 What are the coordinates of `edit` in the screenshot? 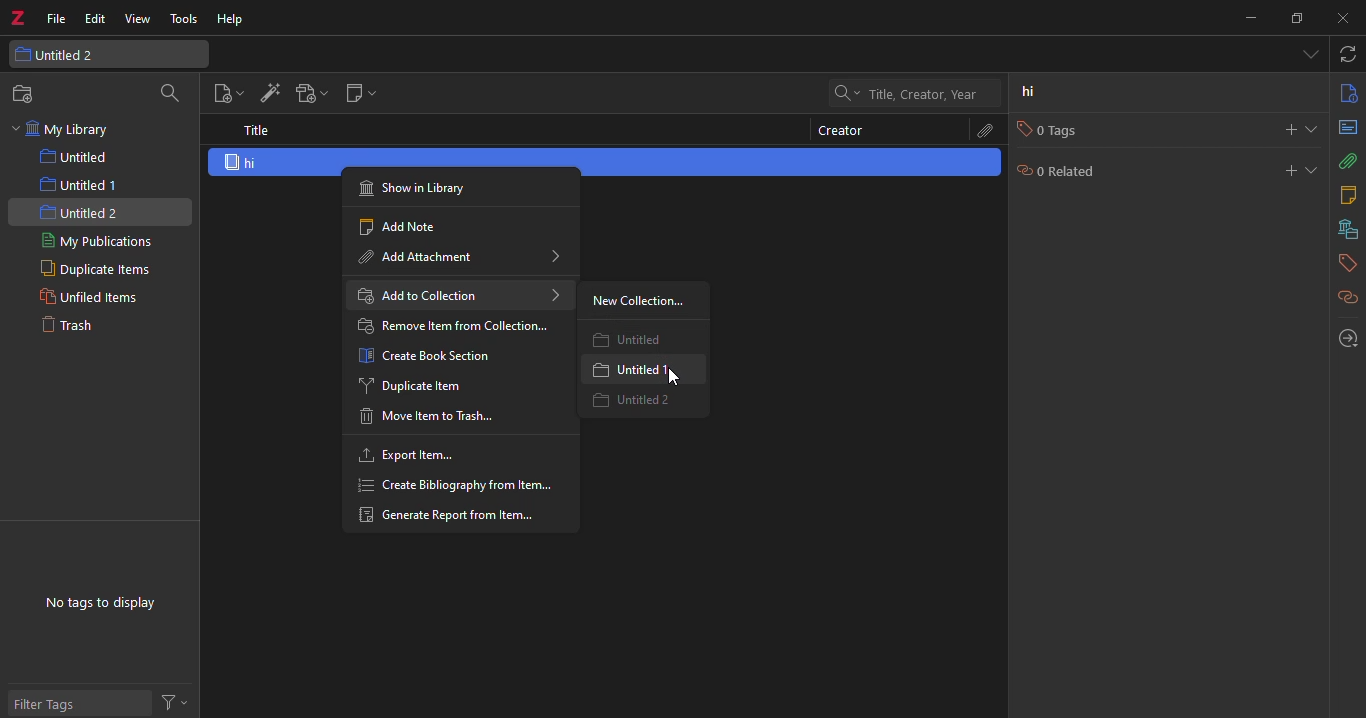 It's located at (94, 19).